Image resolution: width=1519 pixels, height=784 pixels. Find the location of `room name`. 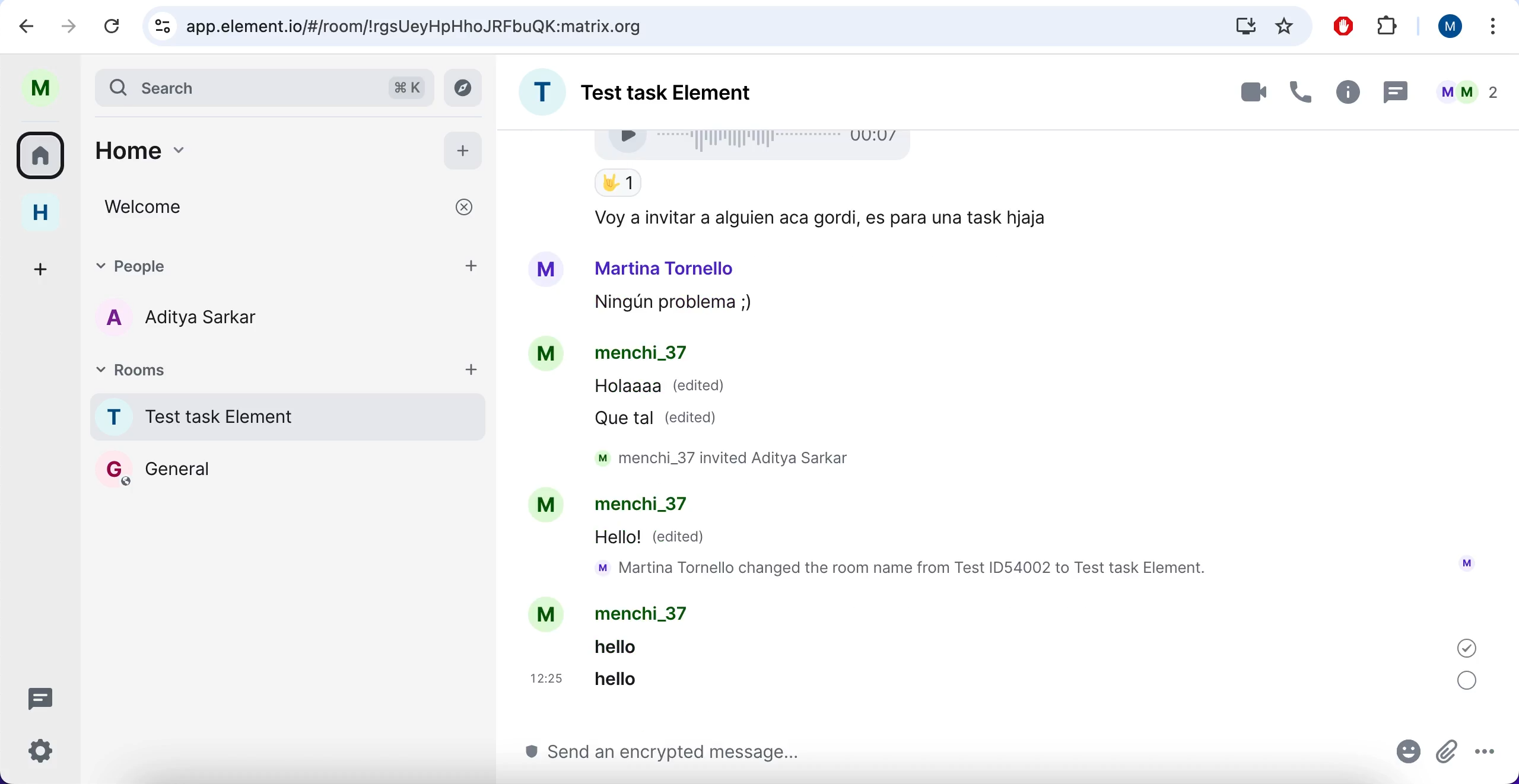

room name is located at coordinates (659, 88).